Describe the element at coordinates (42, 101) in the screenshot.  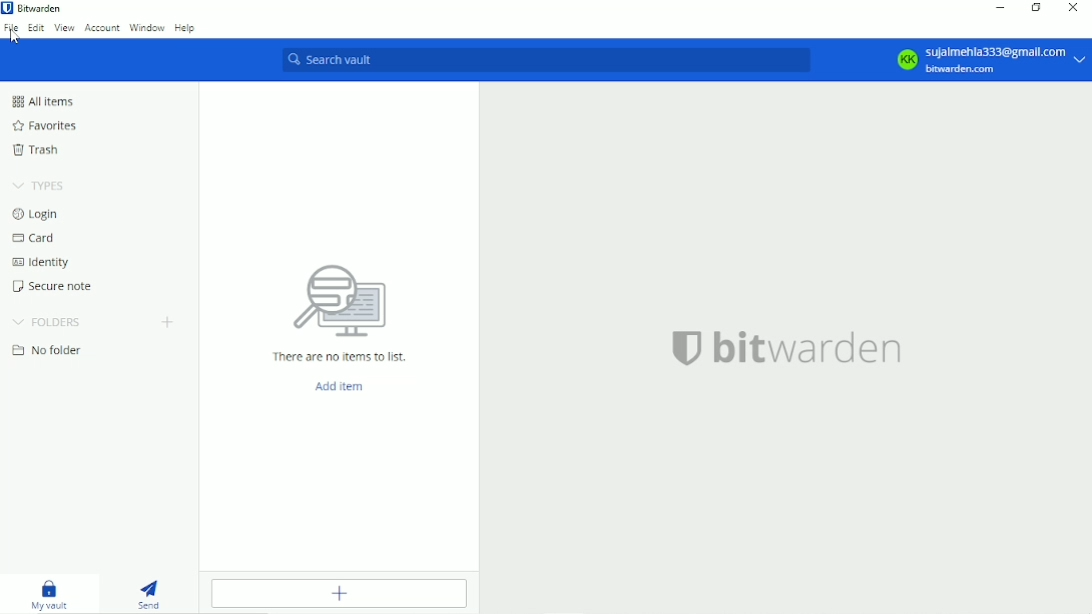
I see `All items` at that location.